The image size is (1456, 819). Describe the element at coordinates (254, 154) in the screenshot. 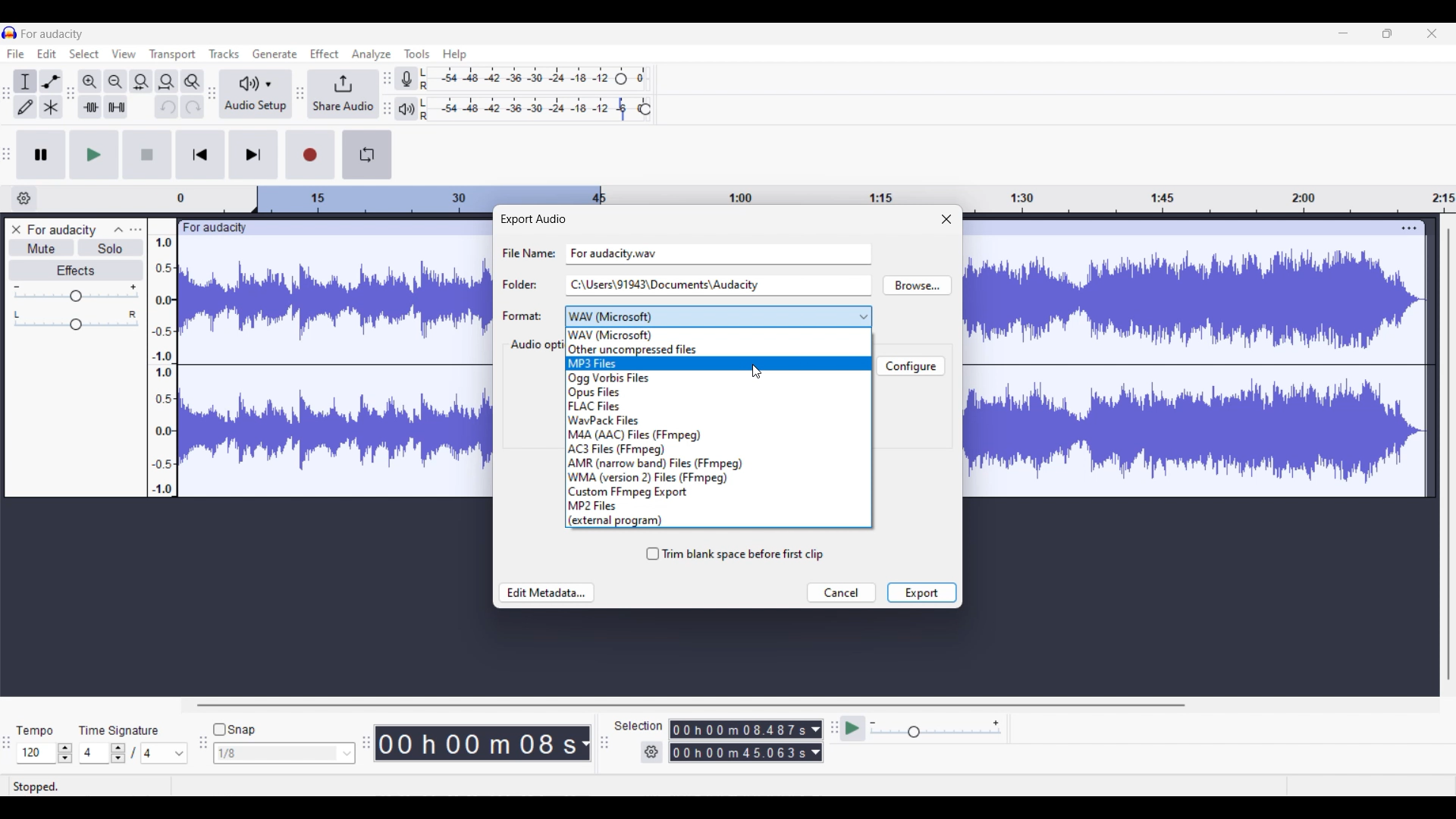

I see `Skip/Select to end` at that location.